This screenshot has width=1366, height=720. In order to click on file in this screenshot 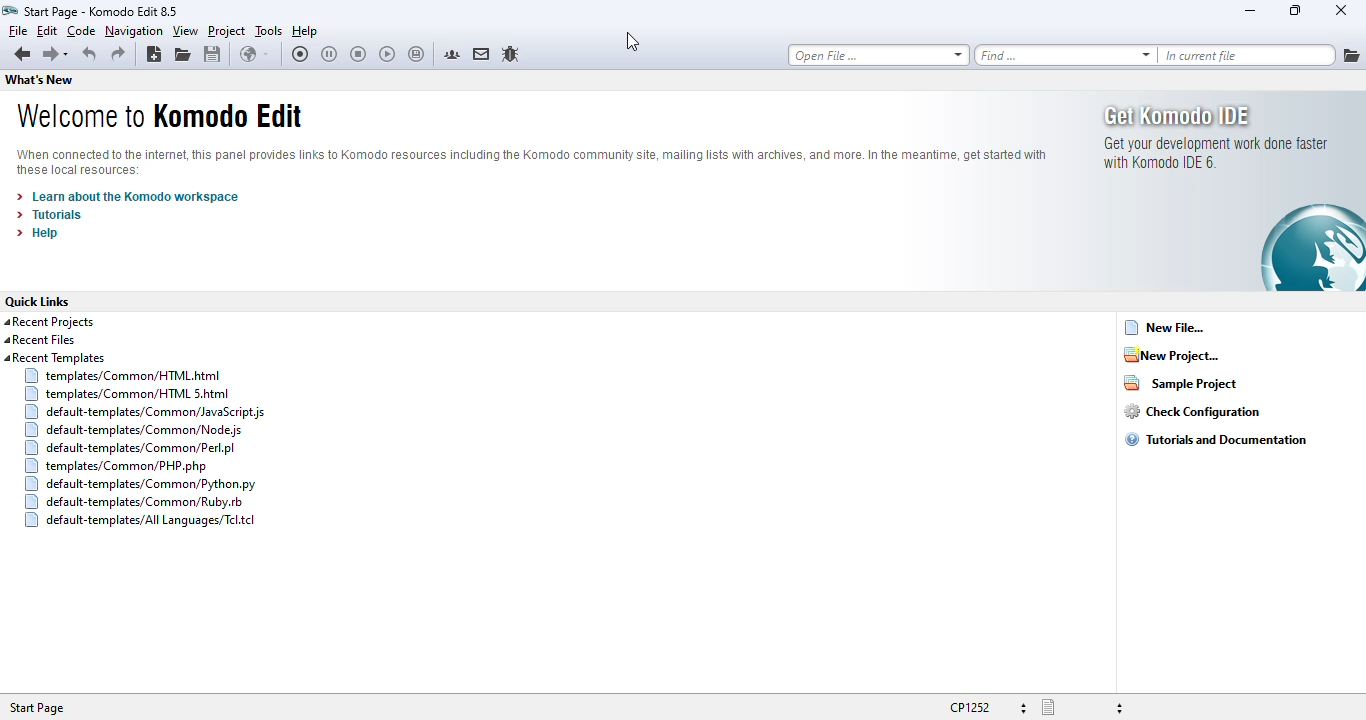, I will do `click(18, 30)`.